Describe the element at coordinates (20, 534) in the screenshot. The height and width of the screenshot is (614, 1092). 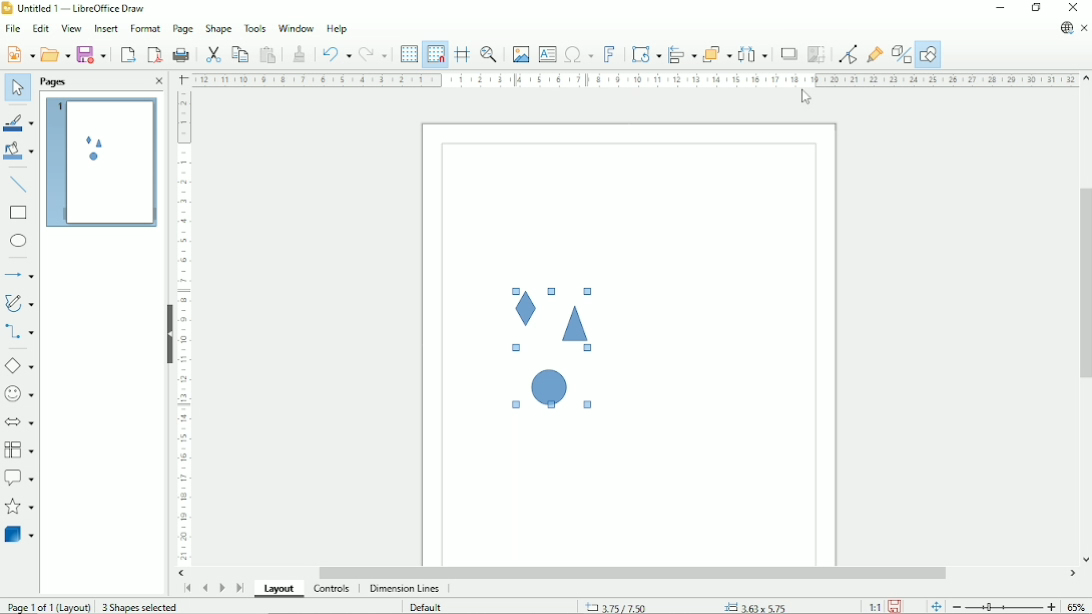
I see `3D Objects` at that location.